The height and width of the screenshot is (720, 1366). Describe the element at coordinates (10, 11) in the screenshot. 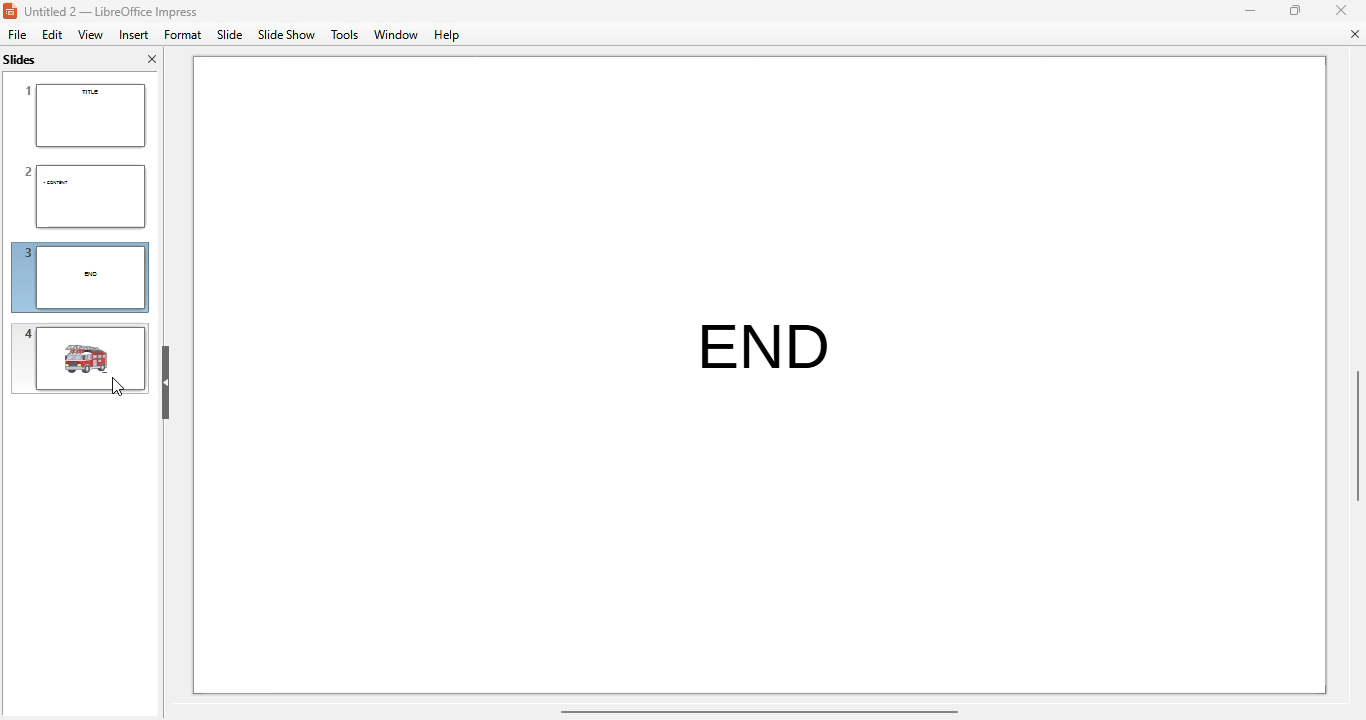

I see `logo` at that location.